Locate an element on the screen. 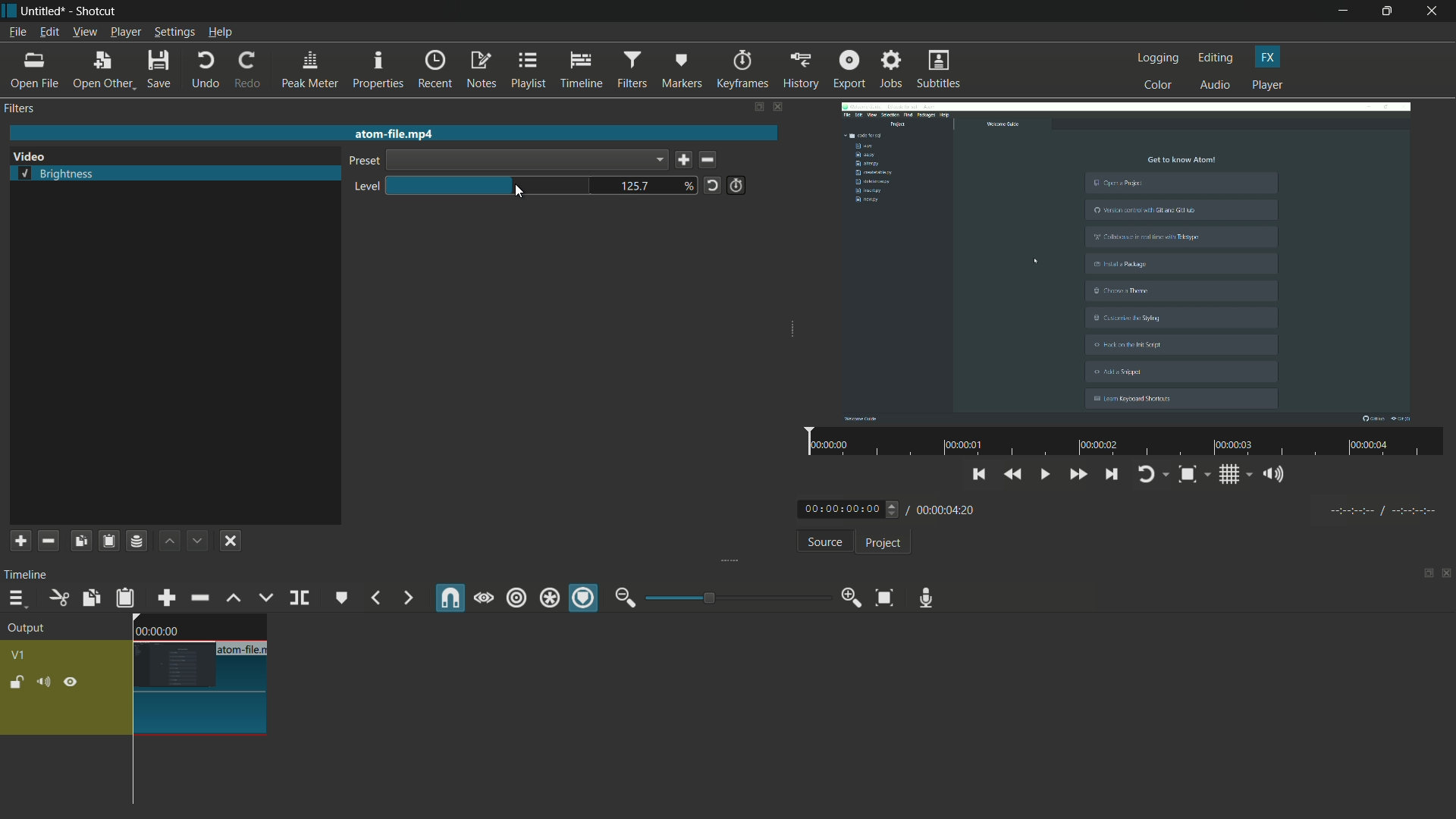 This screenshot has height=819, width=1456. markers is located at coordinates (682, 69).